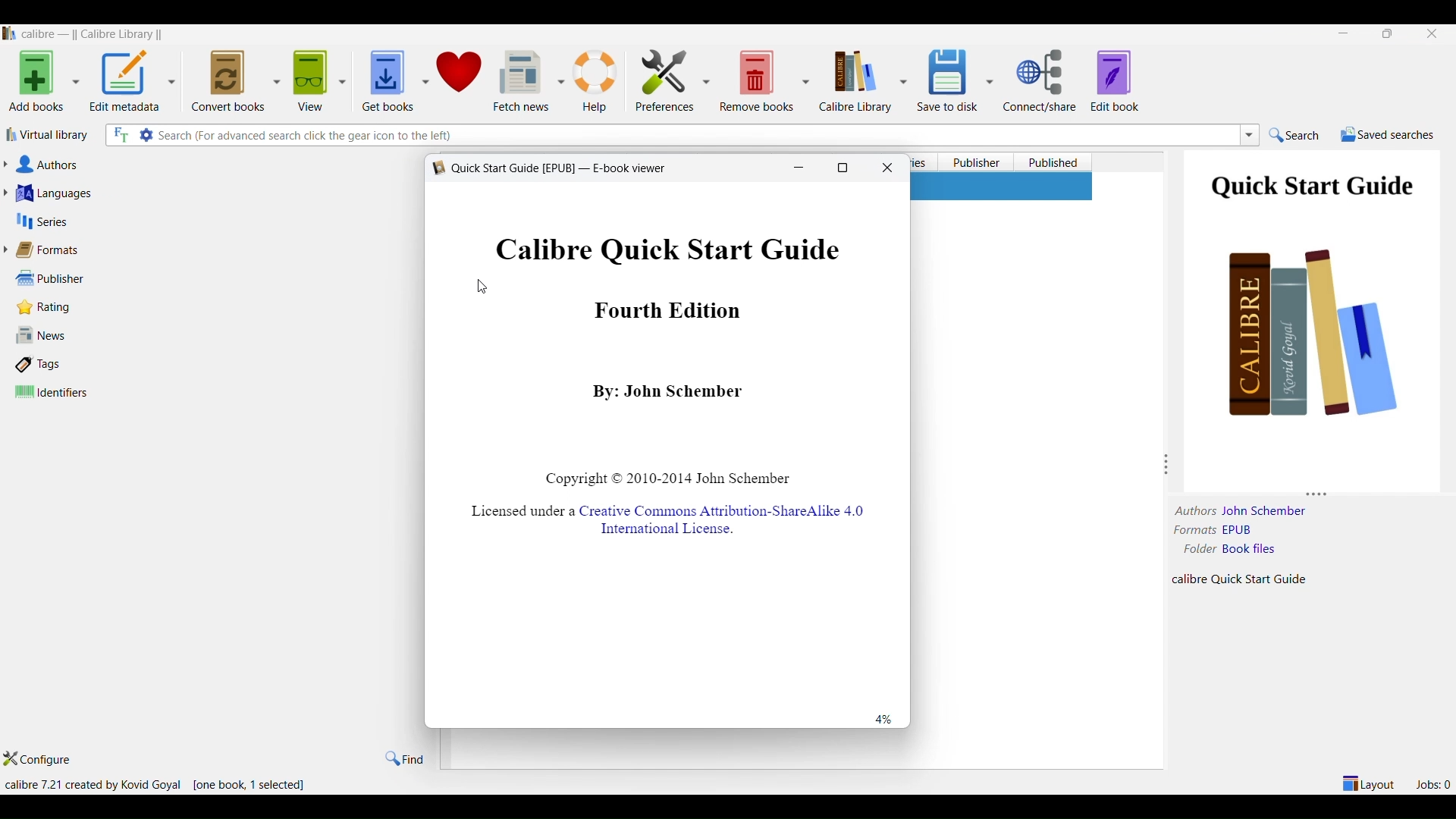  I want to click on Licensed under a Creative Commons Attribution-ShareAlike 4.0
International License., so click(677, 519).